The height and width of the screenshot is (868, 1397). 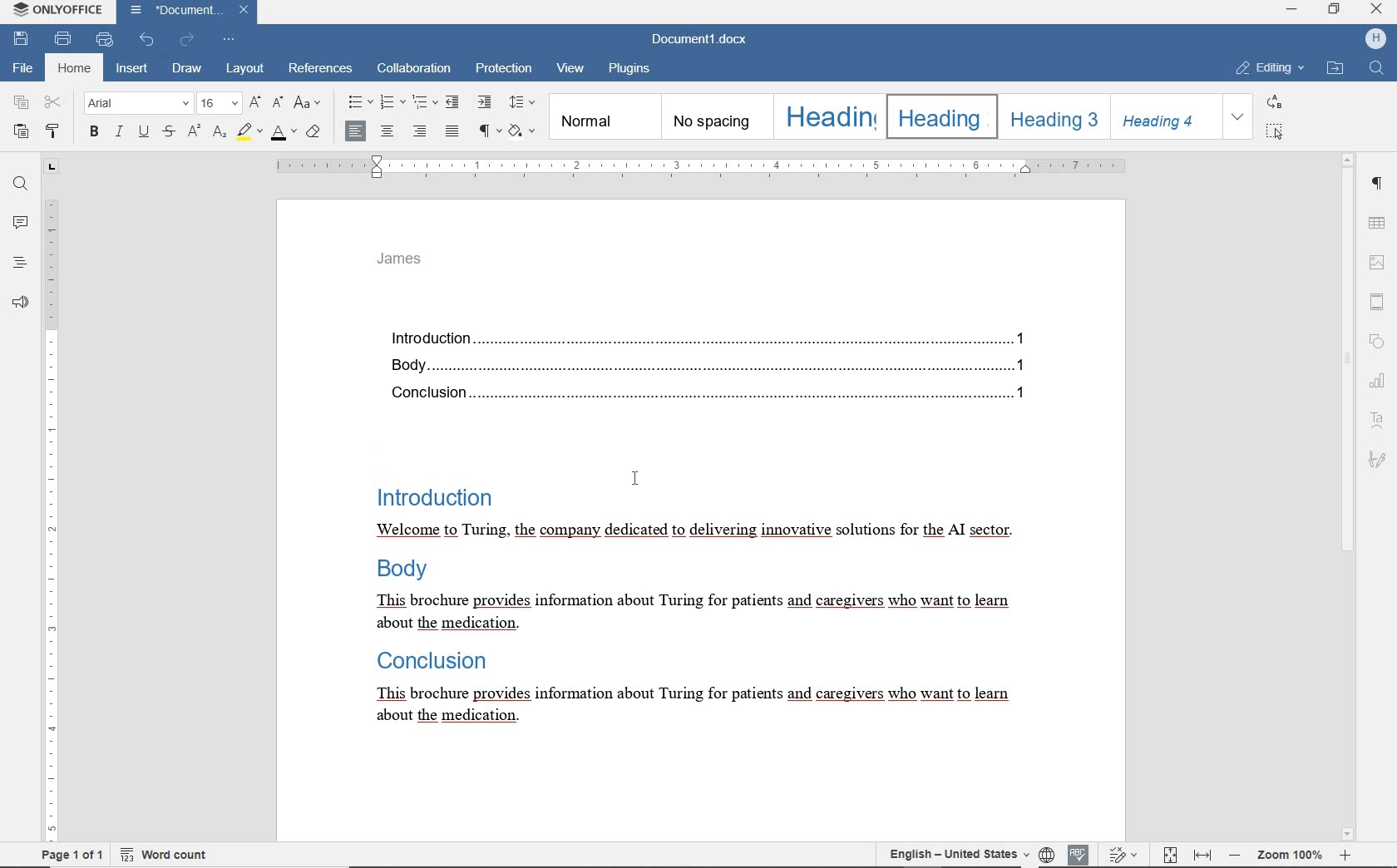 I want to click on layout, so click(x=245, y=70).